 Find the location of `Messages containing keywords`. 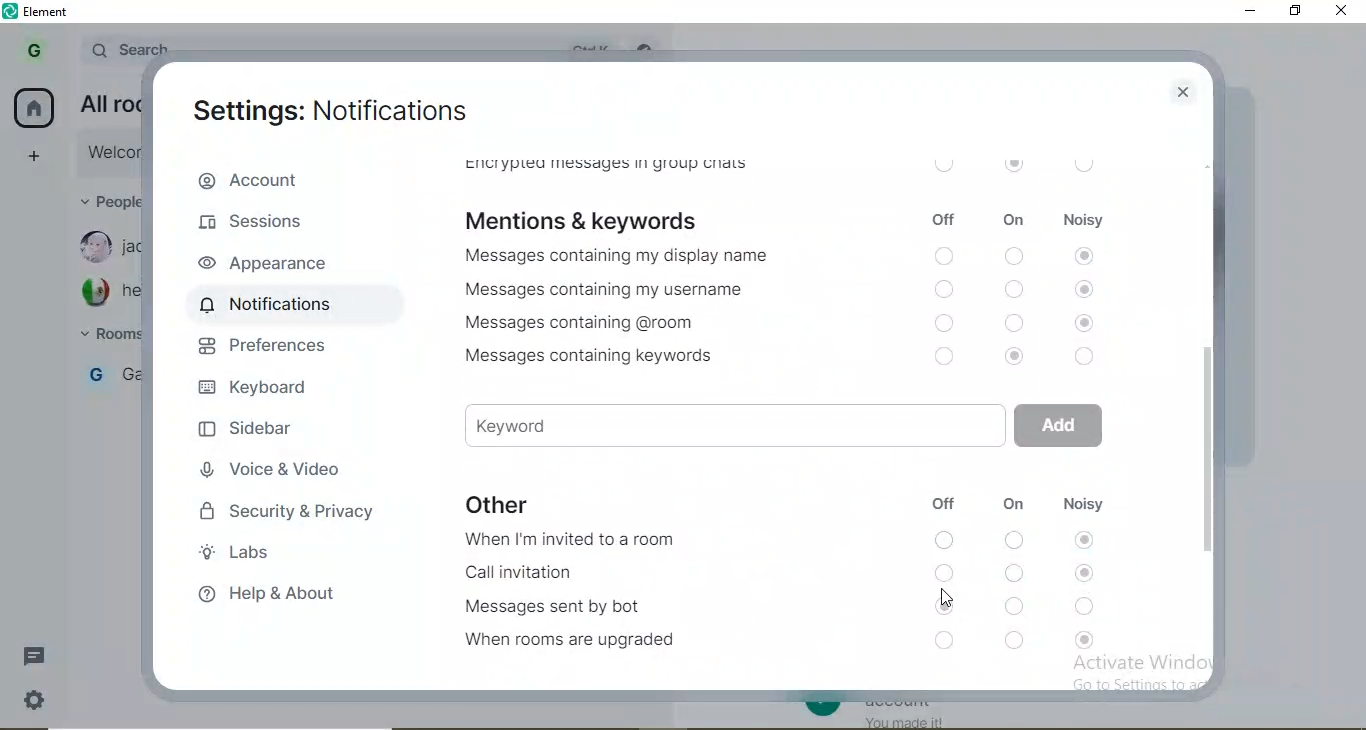

Messages containing keywords is located at coordinates (596, 355).